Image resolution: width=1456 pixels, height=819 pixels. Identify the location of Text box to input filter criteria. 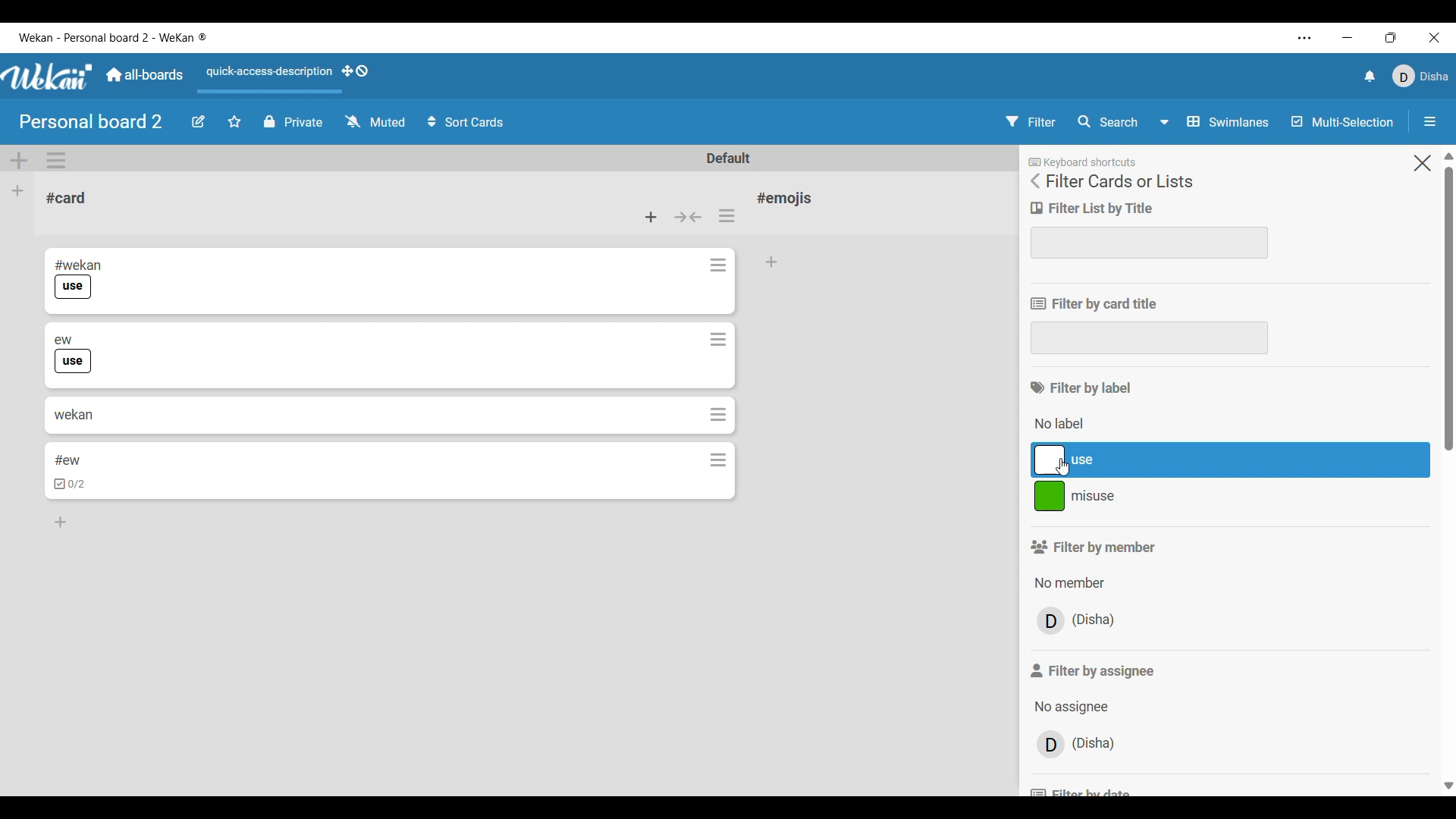
(1149, 338).